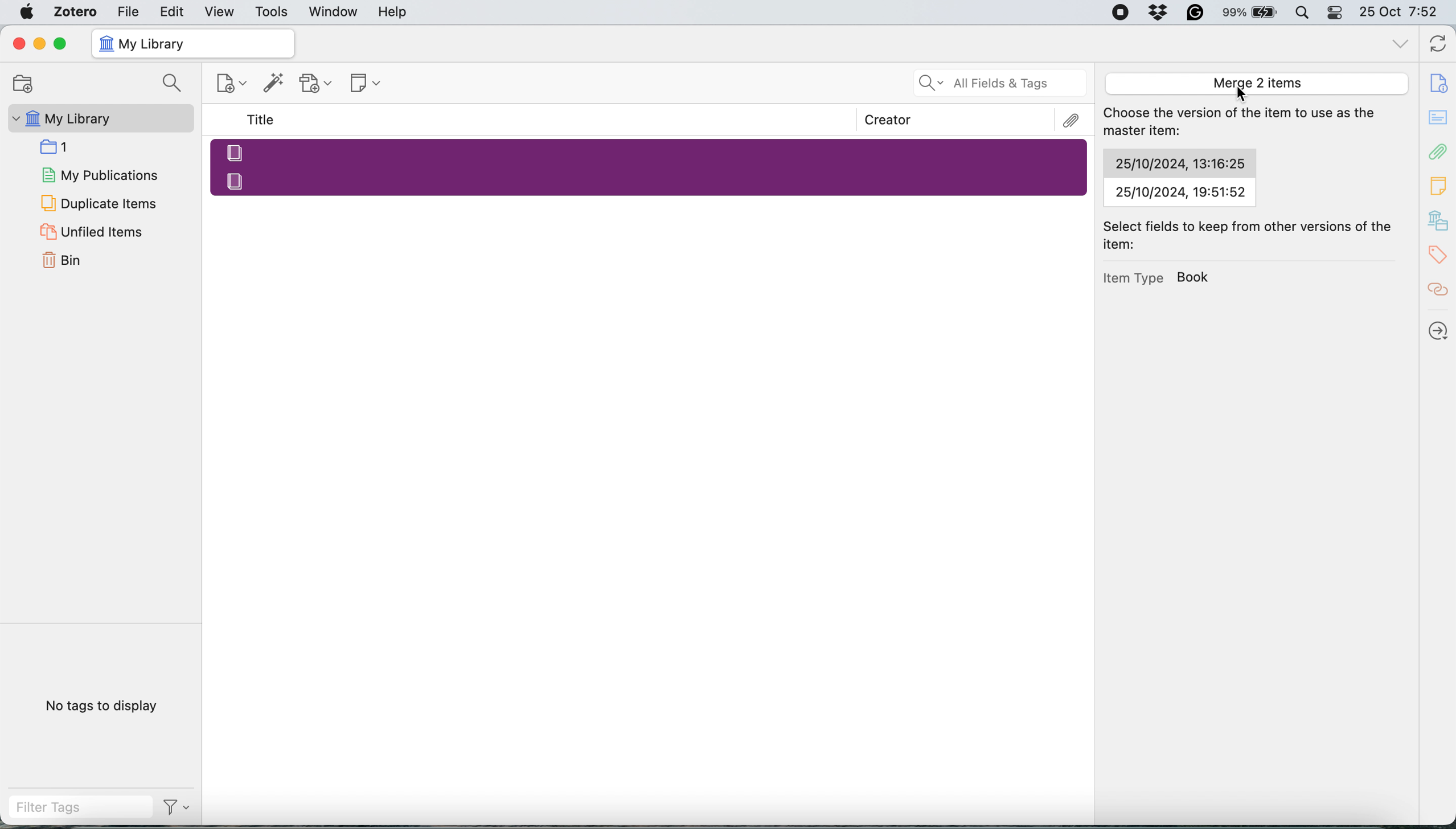 Image resolution: width=1456 pixels, height=829 pixels. What do you see at coordinates (1253, 235) in the screenshot?
I see `Select fields to keep from other versions of the item:` at bounding box center [1253, 235].